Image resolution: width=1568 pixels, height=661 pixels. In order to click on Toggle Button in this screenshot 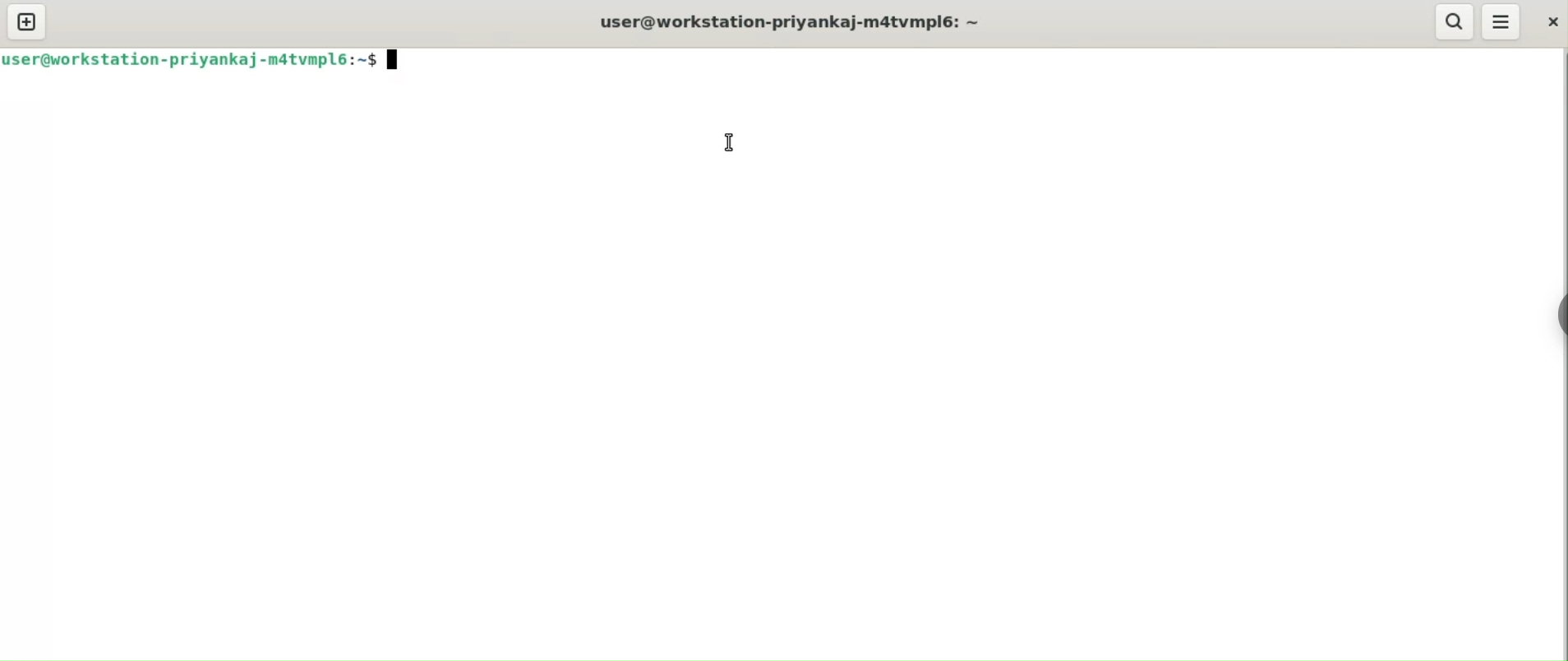, I will do `click(1552, 303)`.